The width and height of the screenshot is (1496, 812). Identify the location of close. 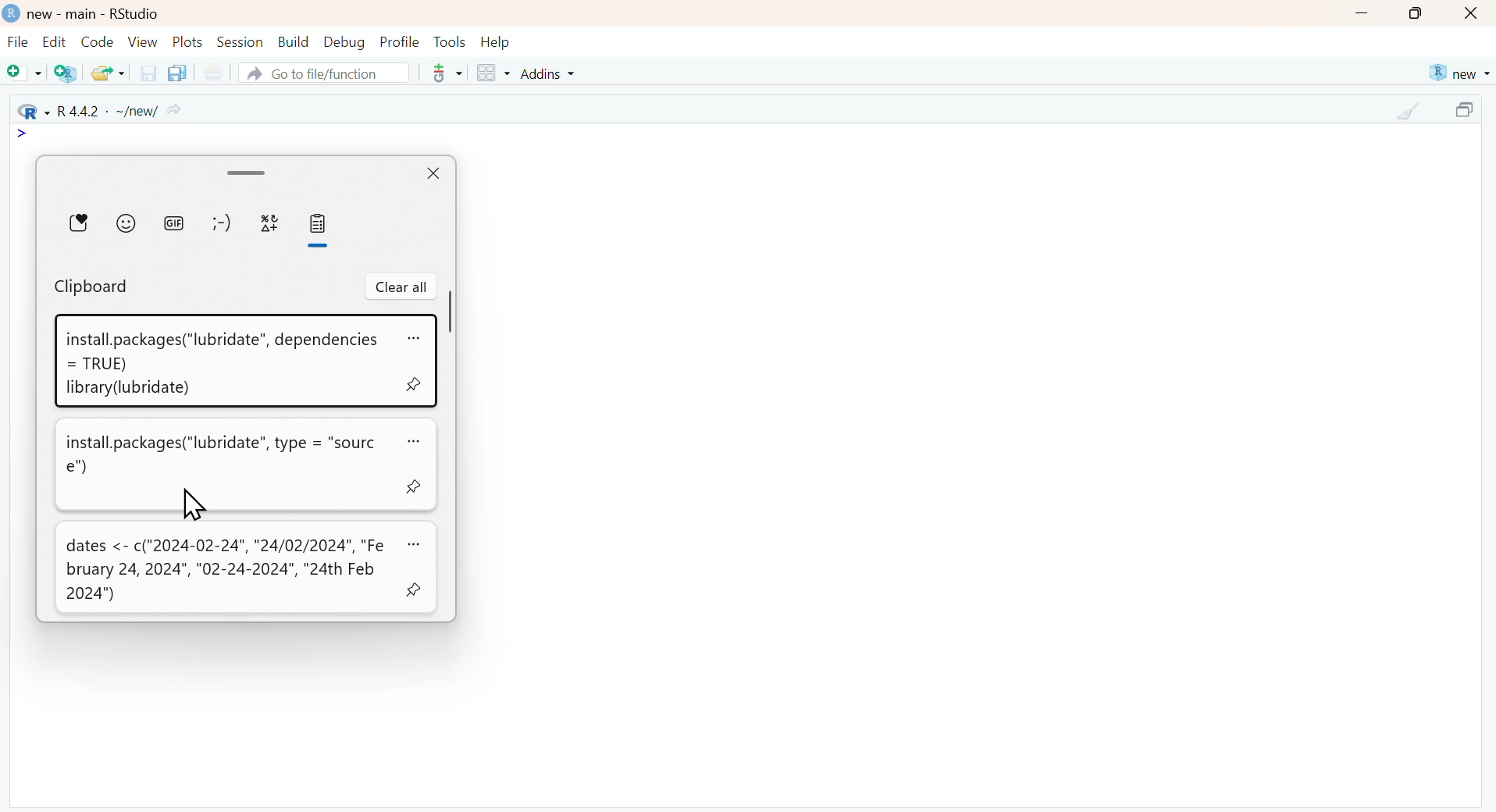
(431, 175).